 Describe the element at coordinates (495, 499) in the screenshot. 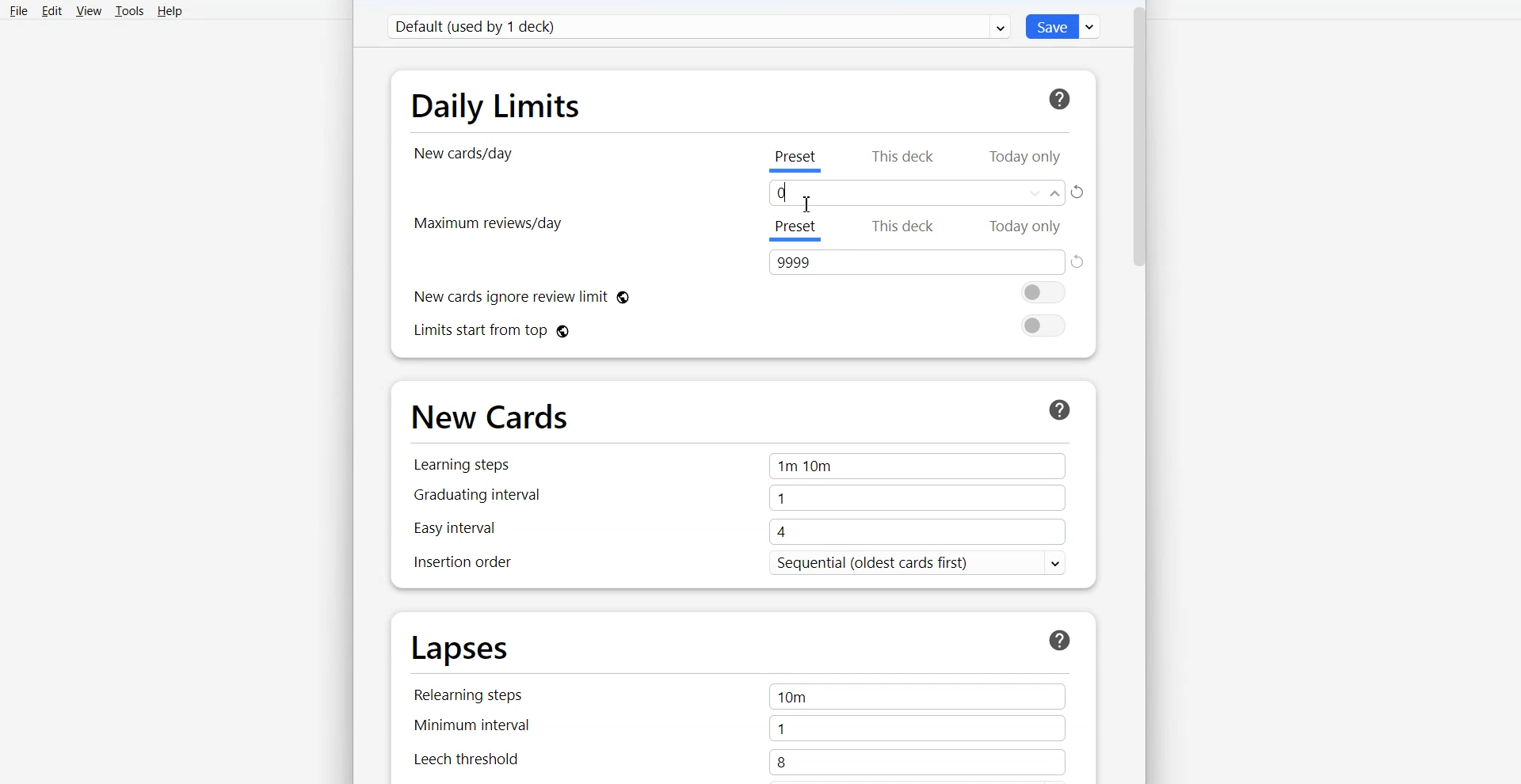

I see `Graduating interval` at that location.